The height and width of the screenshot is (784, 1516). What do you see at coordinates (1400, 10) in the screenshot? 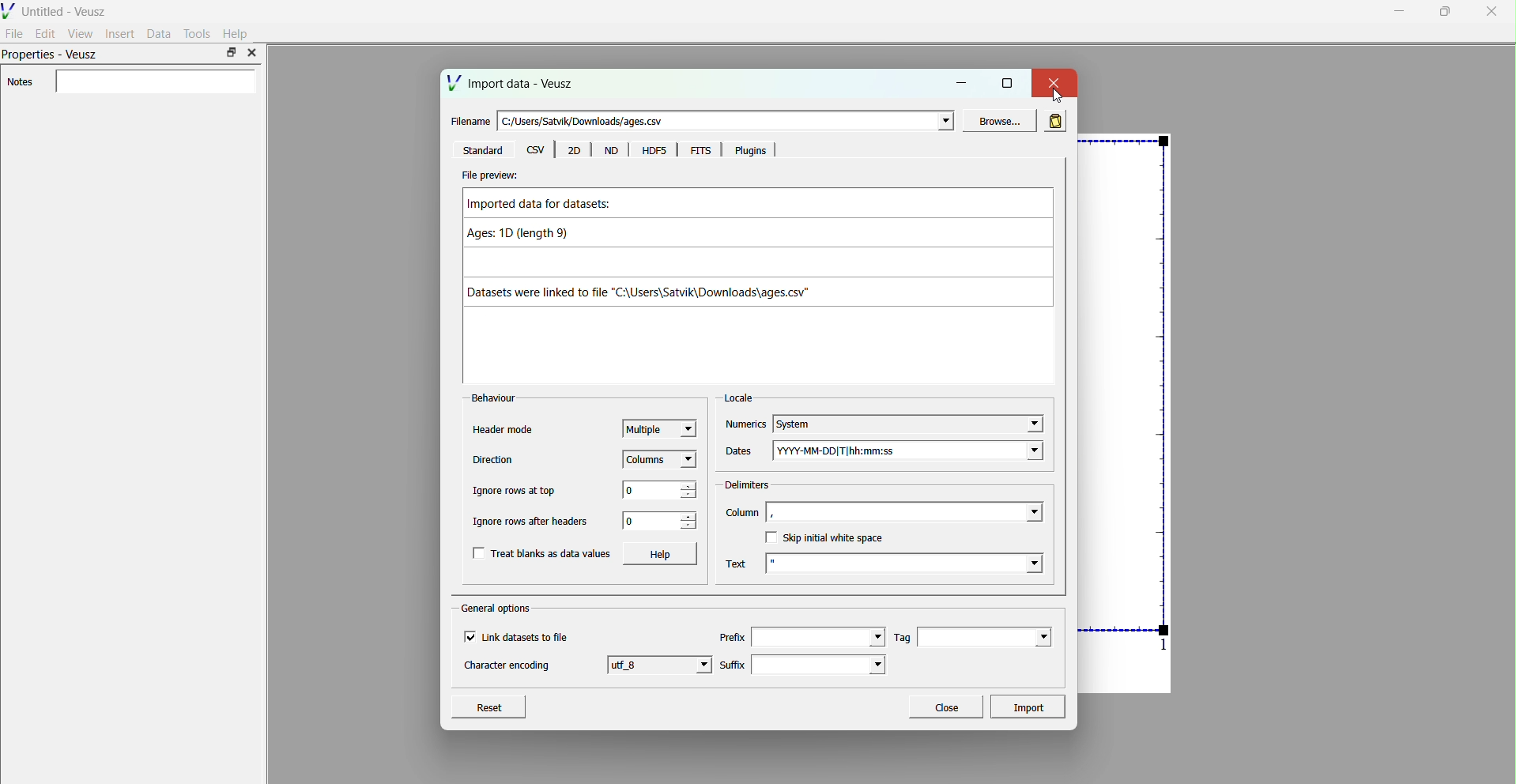
I see `minimise` at bounding box center [1400, 10].